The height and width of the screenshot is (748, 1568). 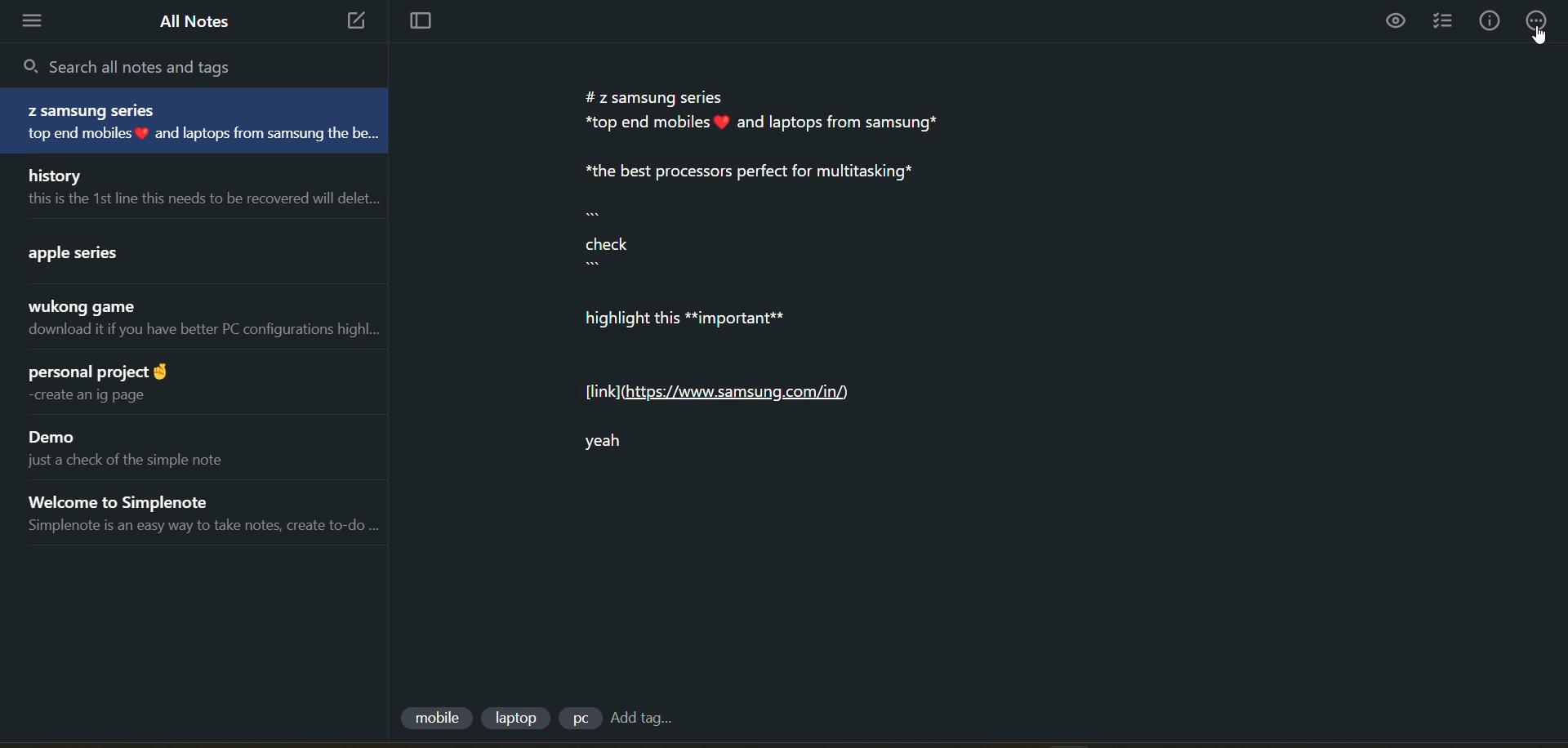 What do you see at coordinates (519, 718) in the screenshot?
I see `tag 2` at bounding box center [519, 718].